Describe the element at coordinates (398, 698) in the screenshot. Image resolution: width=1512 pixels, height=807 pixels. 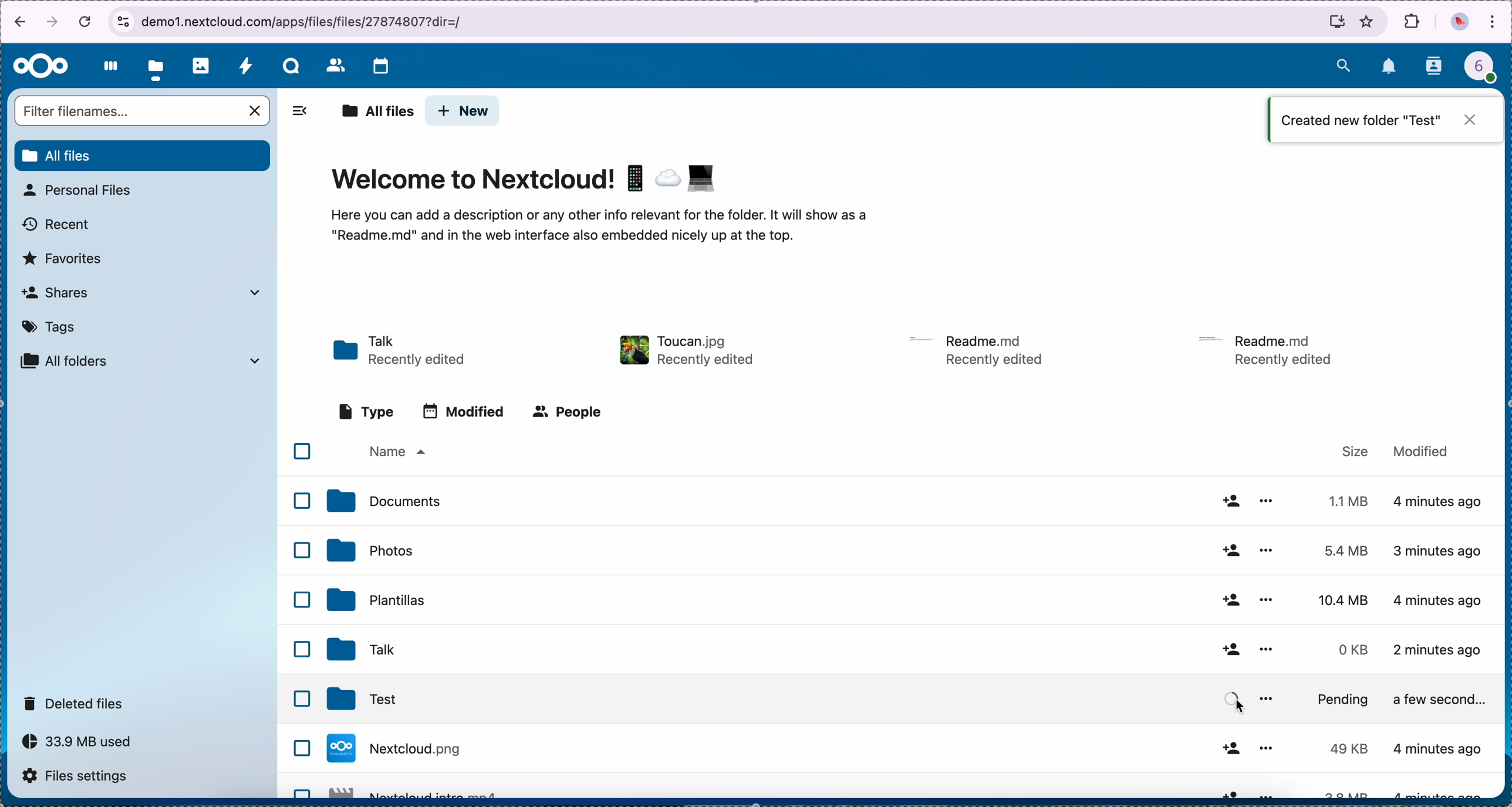
I see `Nextcloud file` at that location.